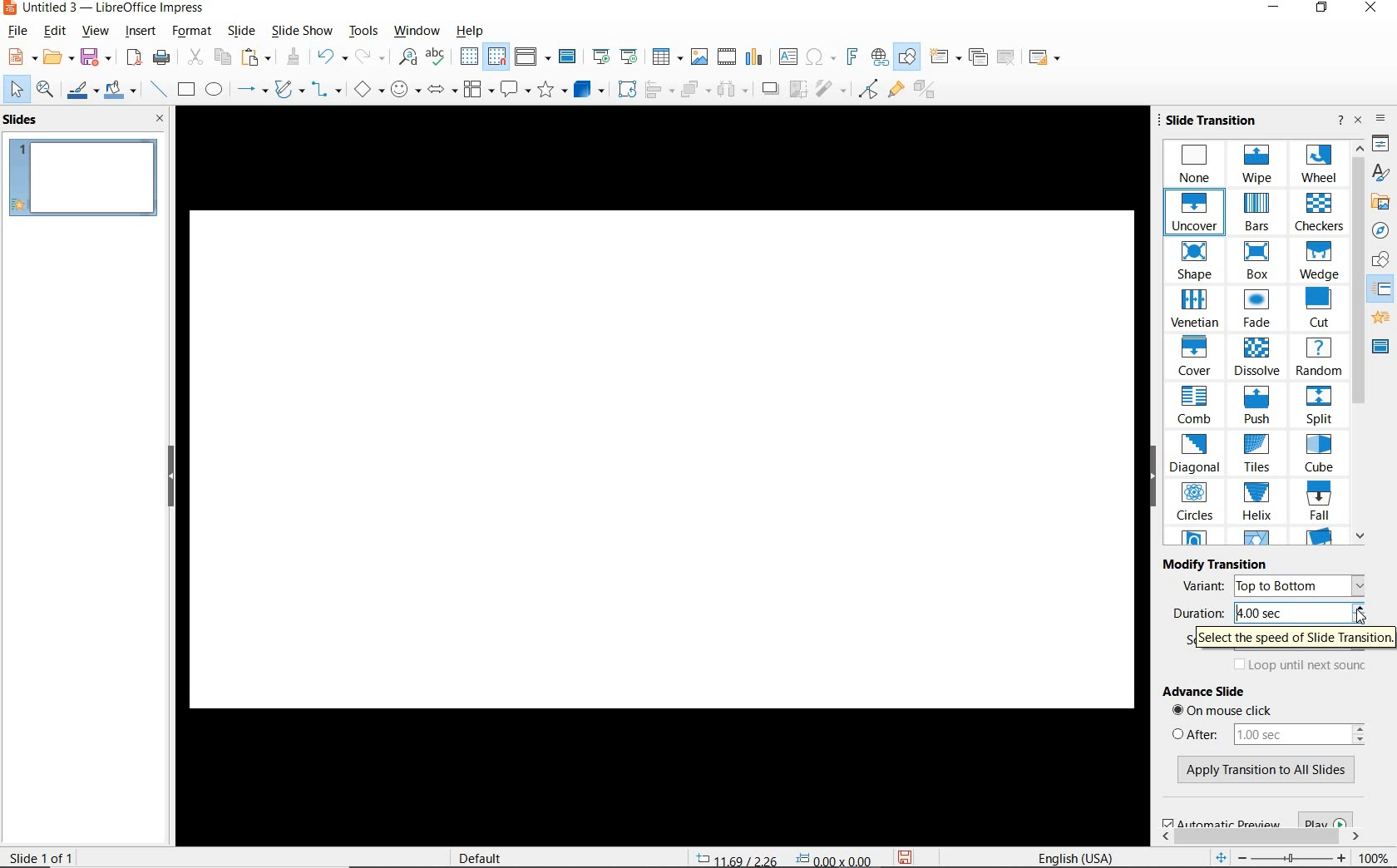 The width and height of the screenshot is (1397, 868). Describe the element at coordinates (1320, 165) in the screenshot. I see `WHEEL` at that location.